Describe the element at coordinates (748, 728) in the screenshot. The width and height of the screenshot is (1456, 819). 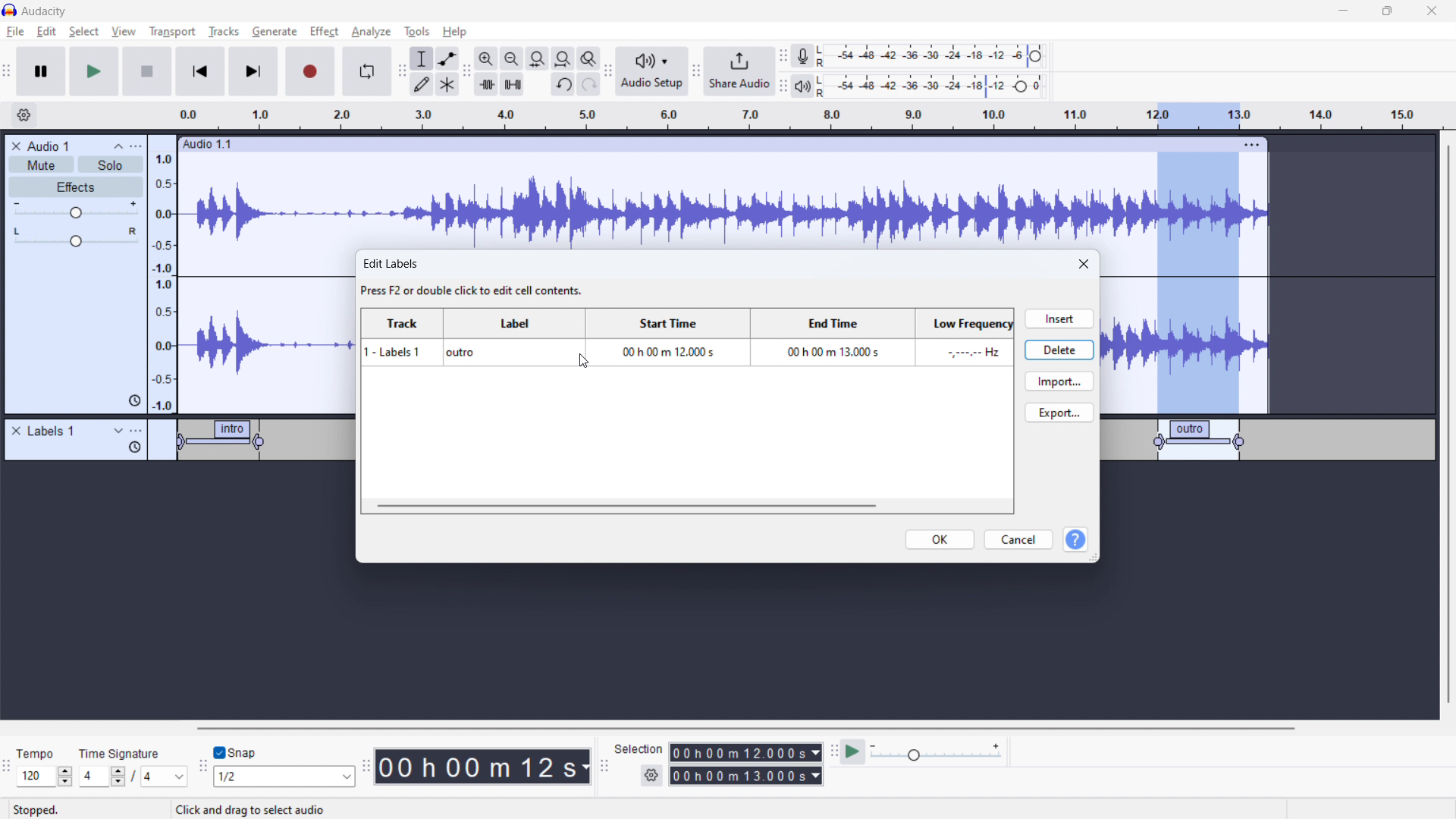
I see `horizontal scrollbar` at that location.